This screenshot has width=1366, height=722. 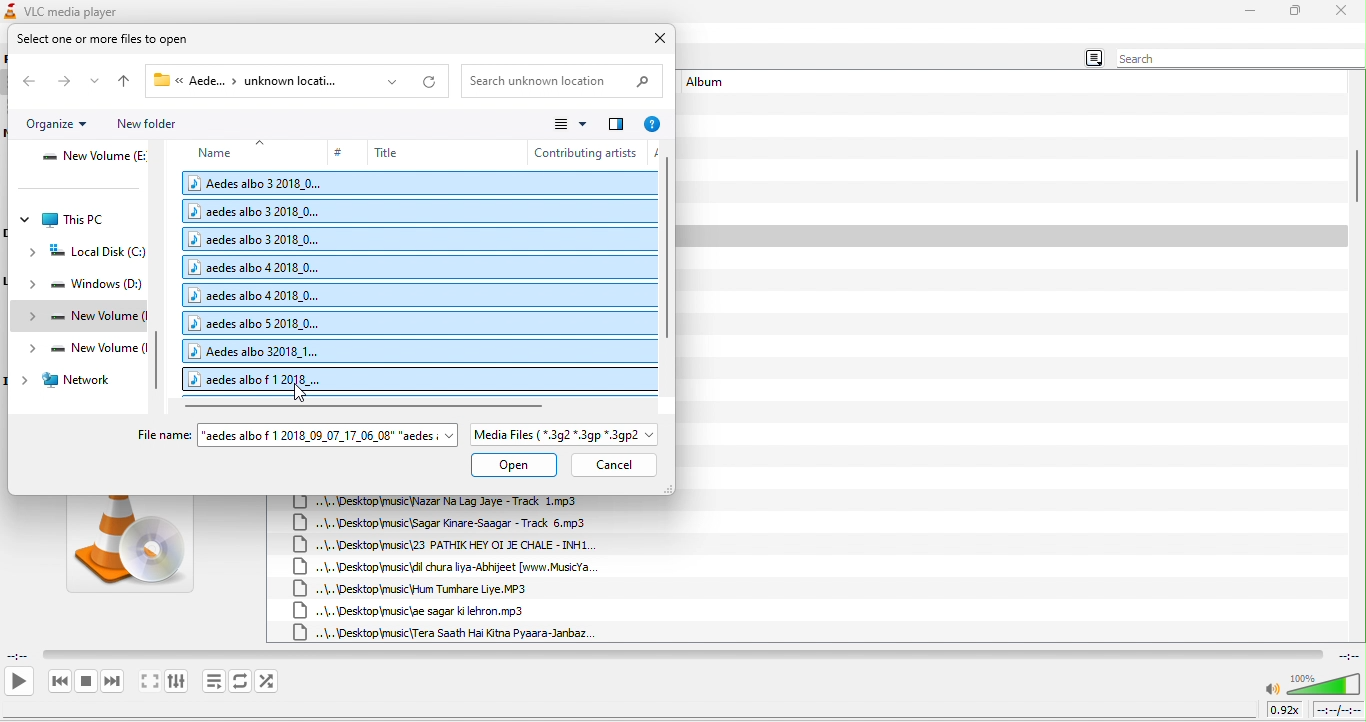 What do you see at coordinates (682, 654) in the screenshot?
I see `video playback` at bounding box center [682, 654].